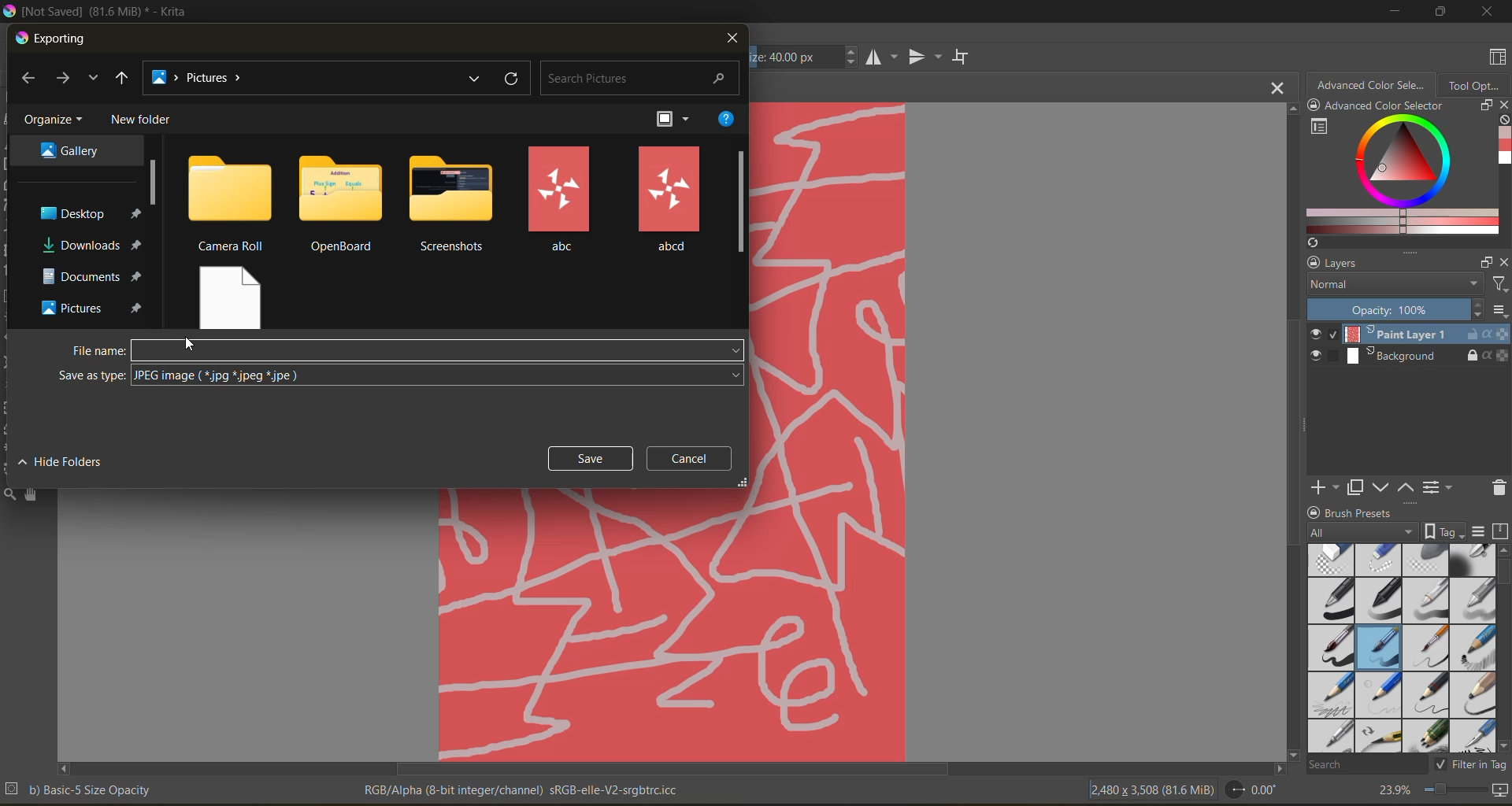 This screenshot has height=806, width=1512. I want to click on flip vertically, so click(922, 58).